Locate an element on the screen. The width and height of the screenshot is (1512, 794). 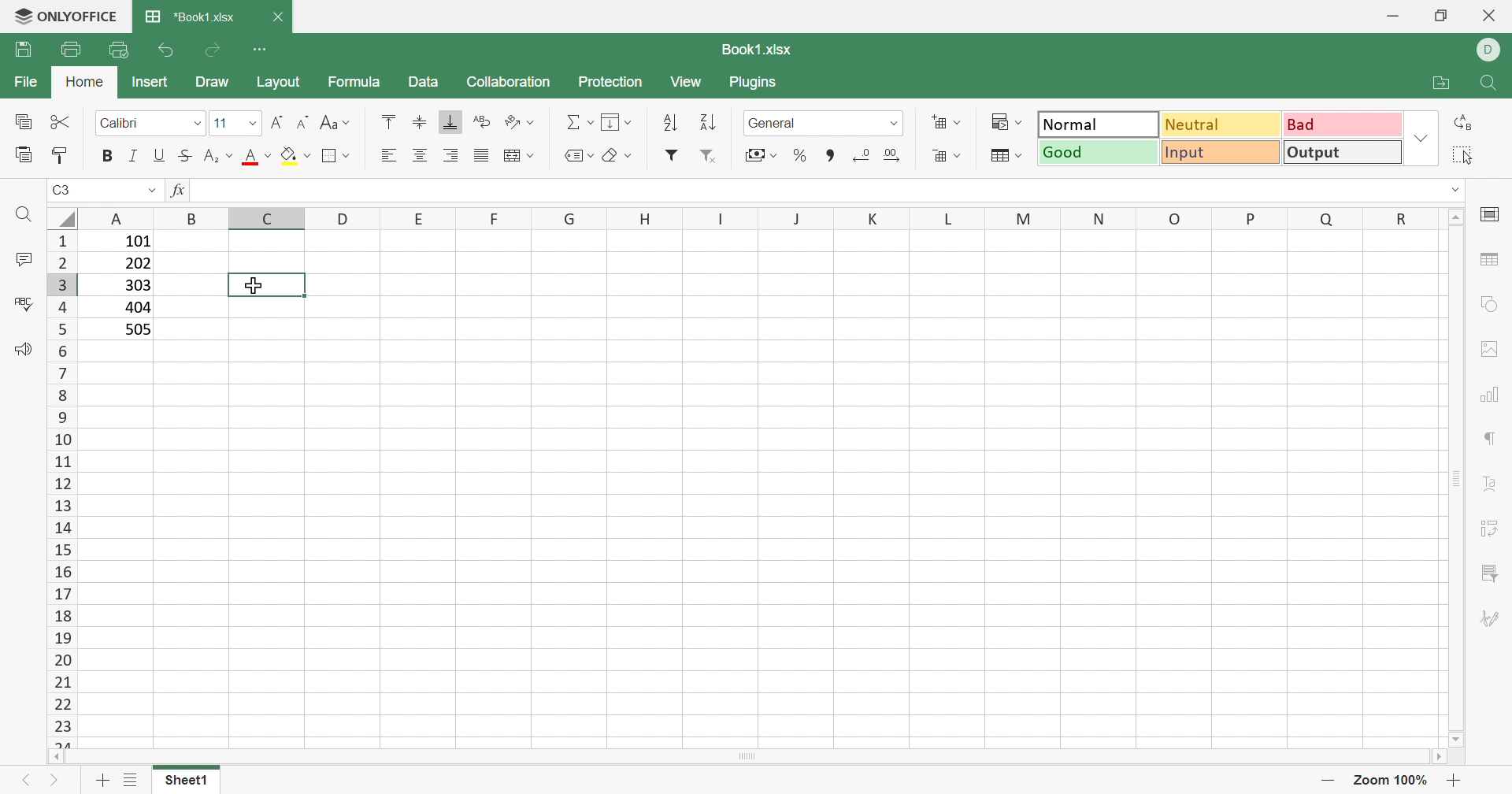
Align Middle is located at coordinates (418, 123).